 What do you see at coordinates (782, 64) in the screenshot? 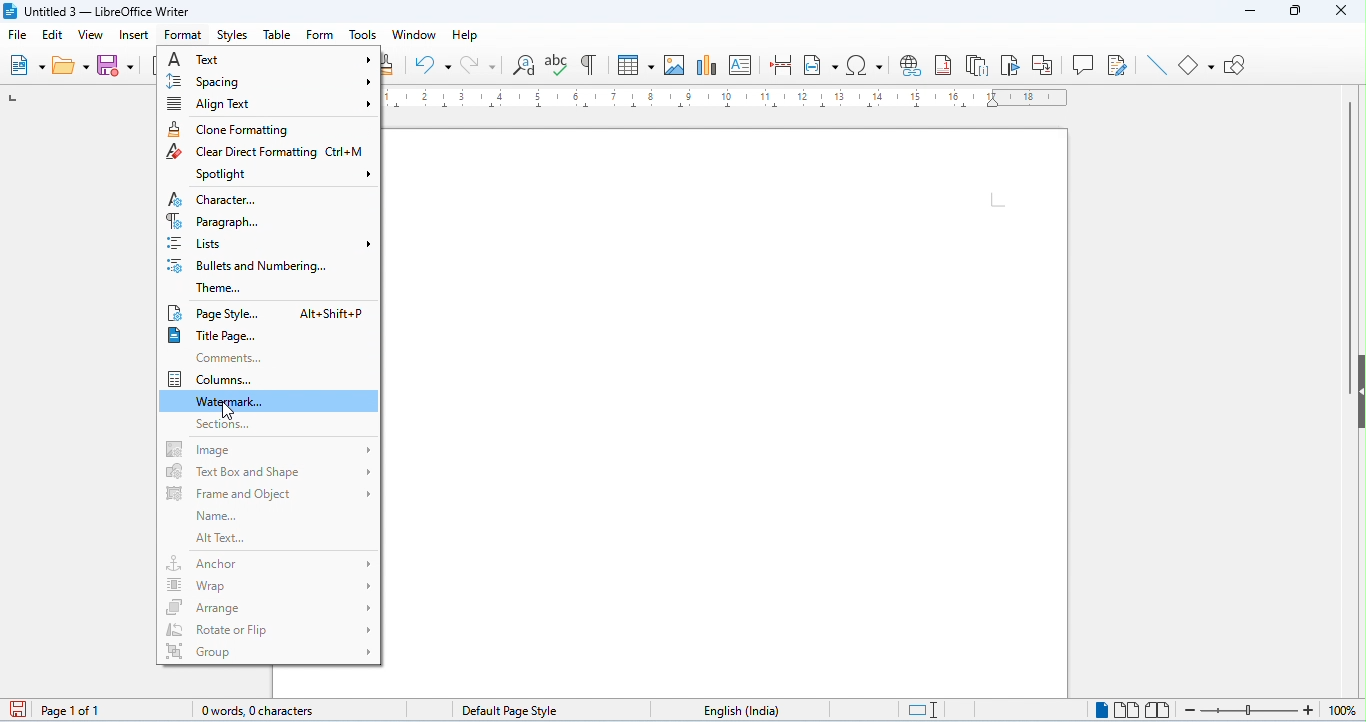
I see `page break` at bounding box center [782, 64].